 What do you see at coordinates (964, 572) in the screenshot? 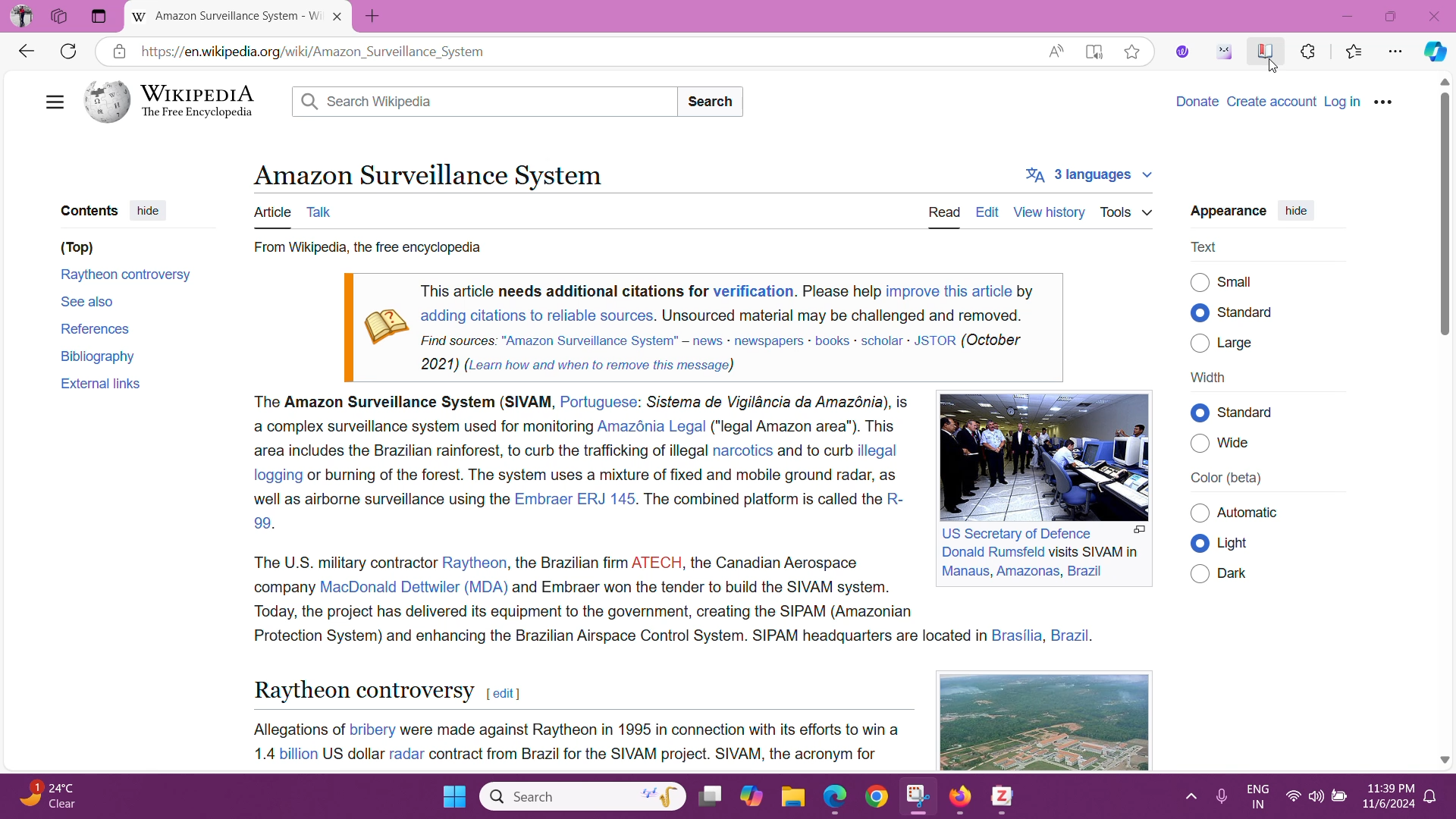
I see `Manaus` at bounding box center [964, 572].